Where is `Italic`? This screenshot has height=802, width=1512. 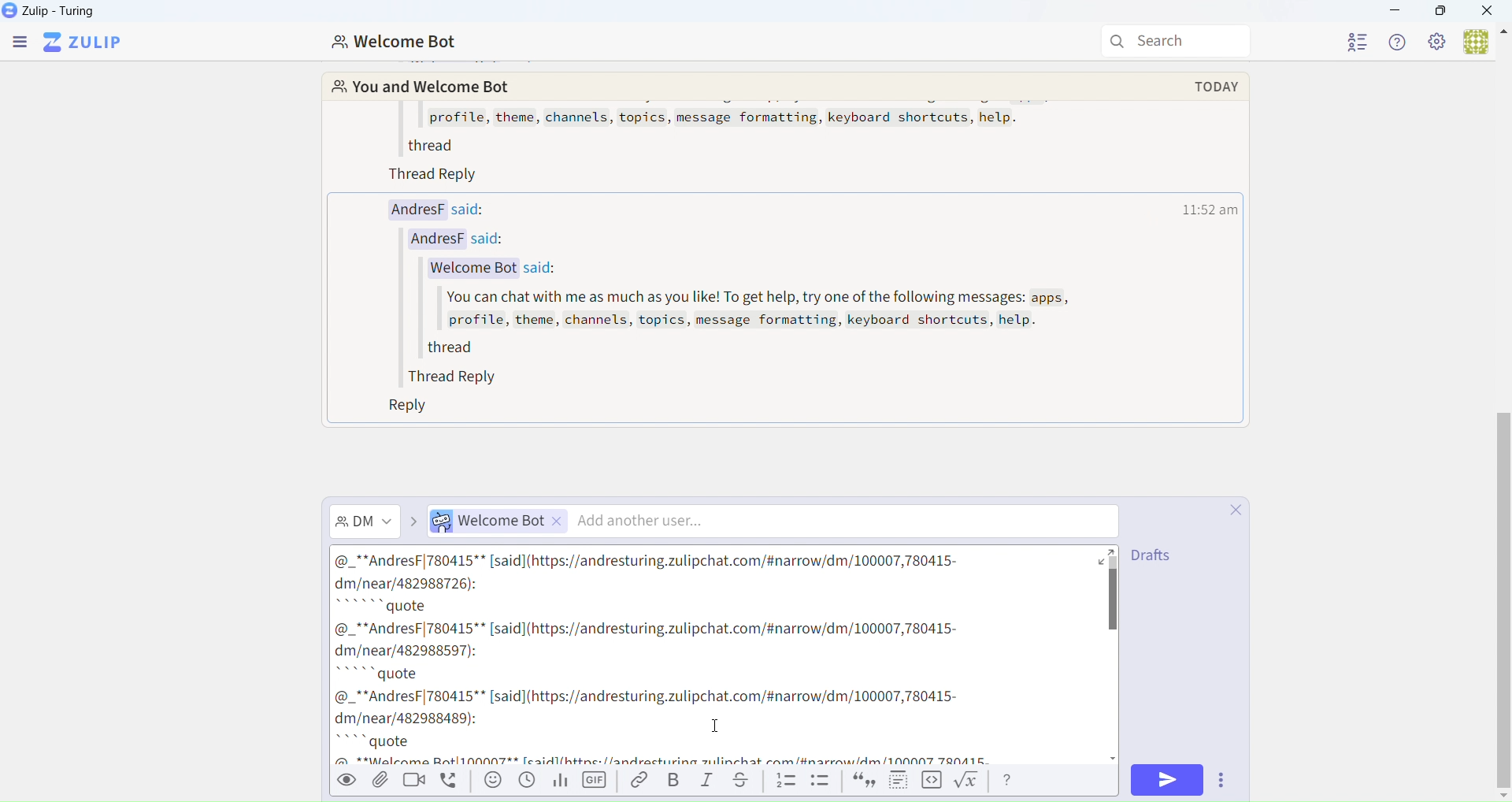
Italic is located at coordinates (709, 780).